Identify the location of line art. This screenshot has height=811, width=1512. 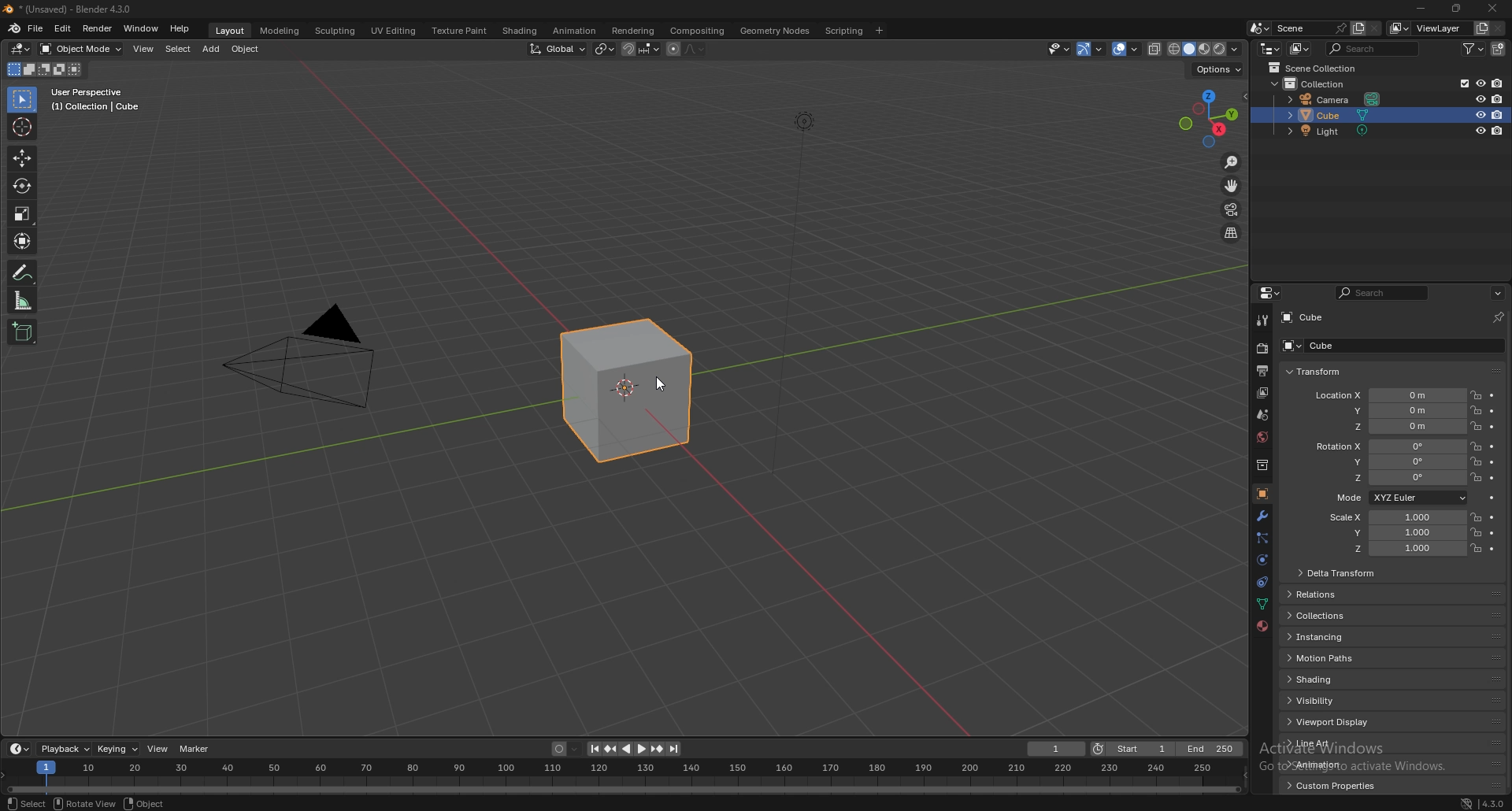
(1320, 742).